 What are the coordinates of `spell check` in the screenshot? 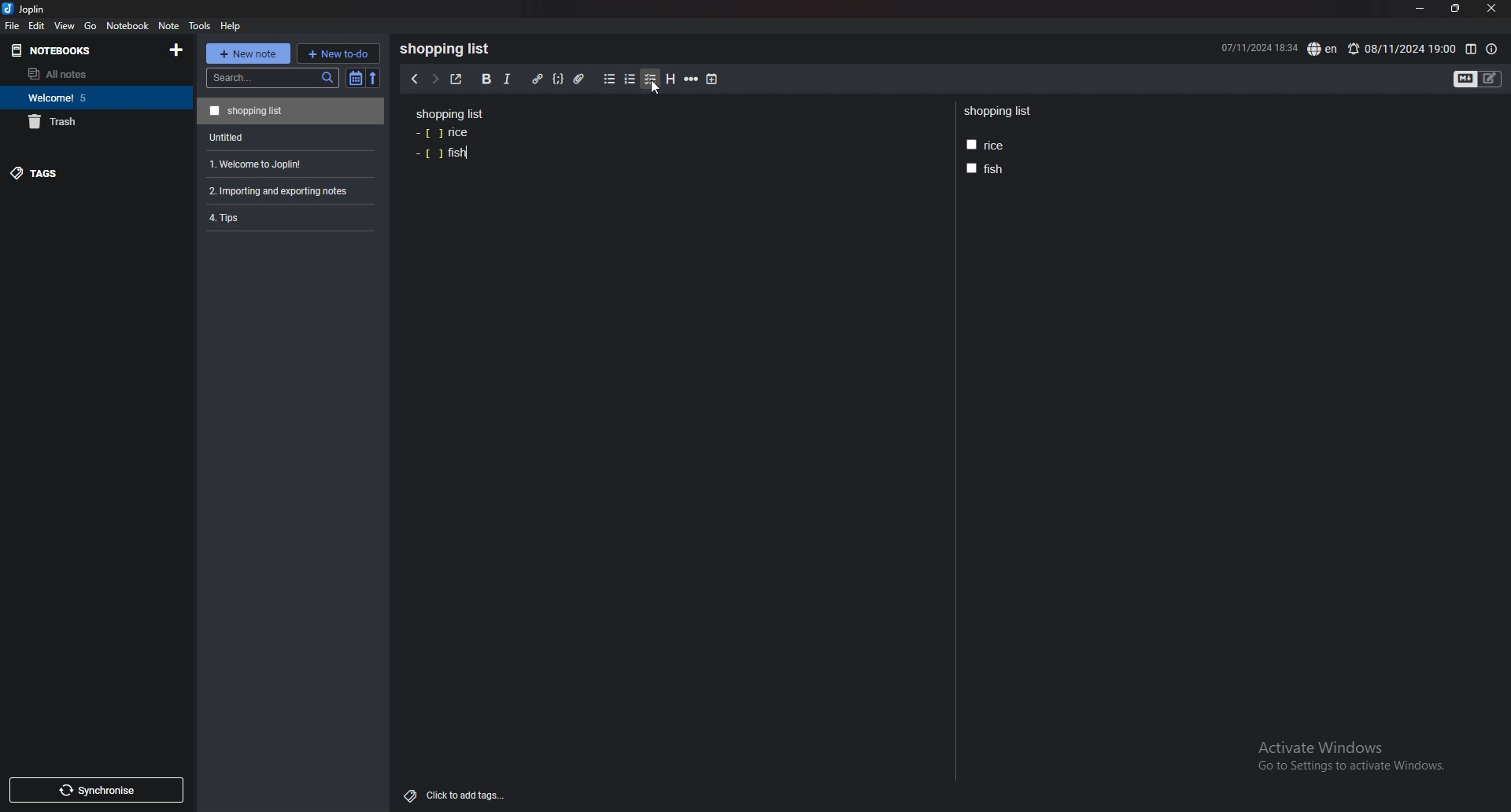 It's located at (1324, 49).